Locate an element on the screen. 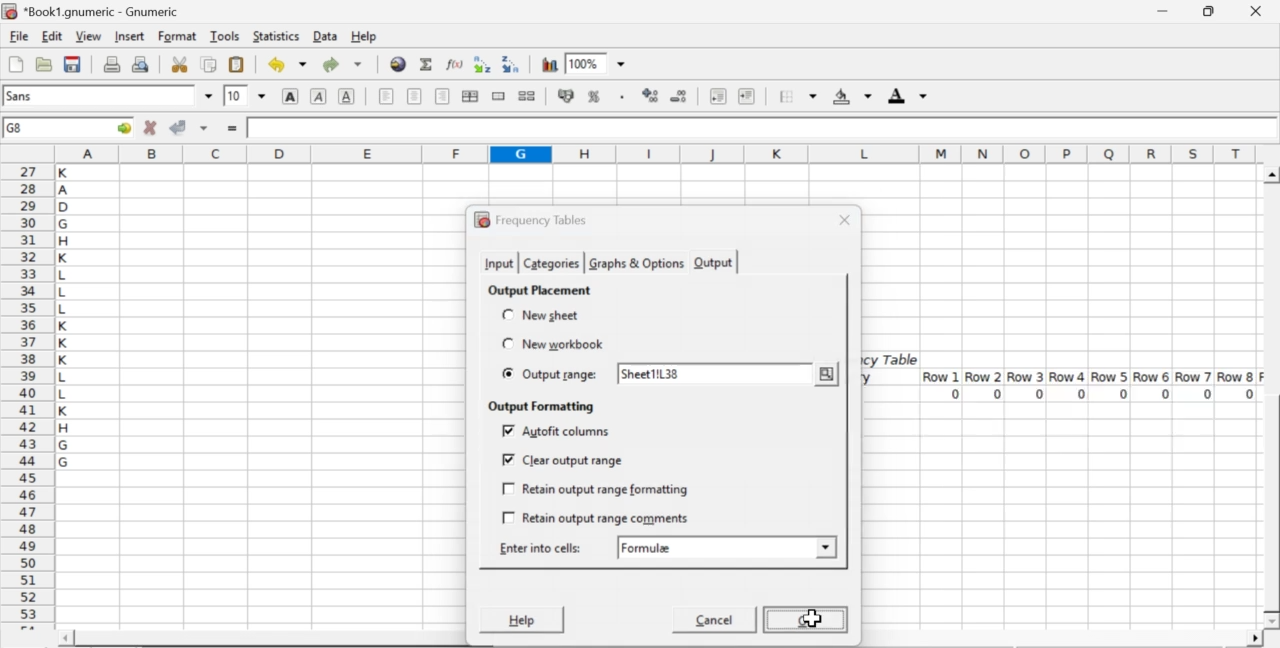 This screenshot has width=1280, height=648. accept changes is located at coordinates (179, 126).